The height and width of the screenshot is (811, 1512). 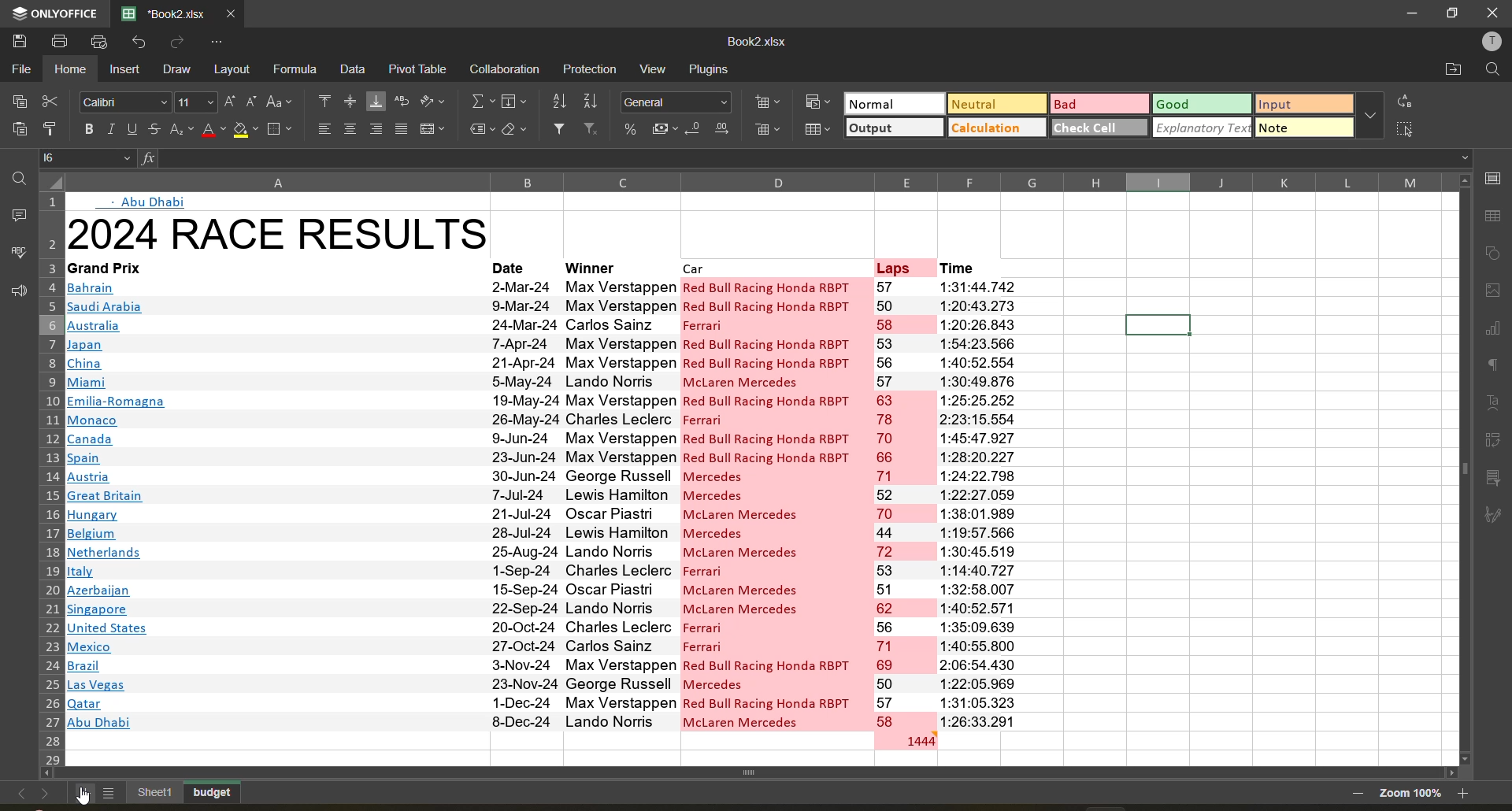 What do you see at coordinates (1411, 14) in the screenshot?
I see `minimize` at bounding box center [1411, 14].